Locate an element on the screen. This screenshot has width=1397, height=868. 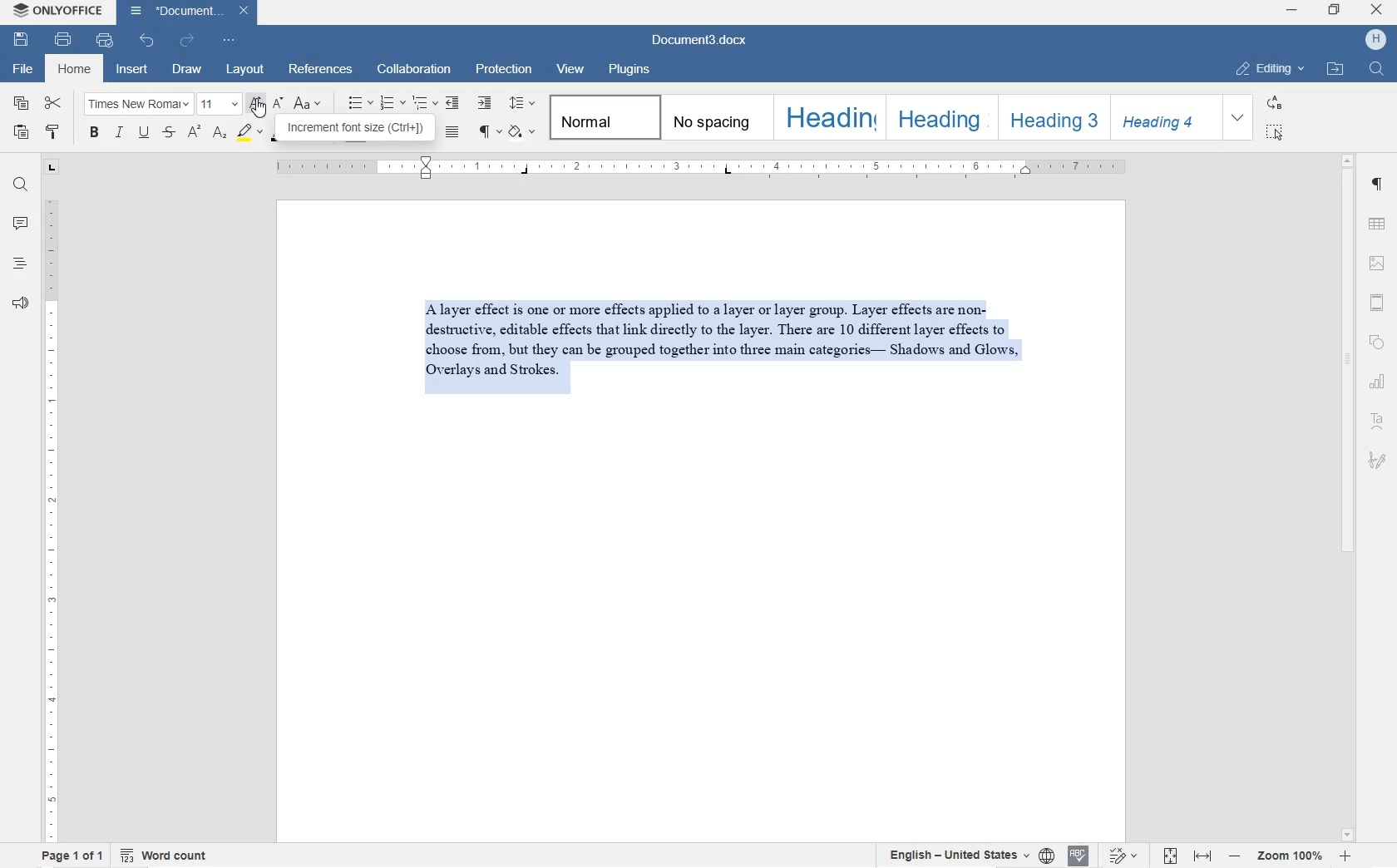
INCREASE INDENT is located at coordinates (485, 104).